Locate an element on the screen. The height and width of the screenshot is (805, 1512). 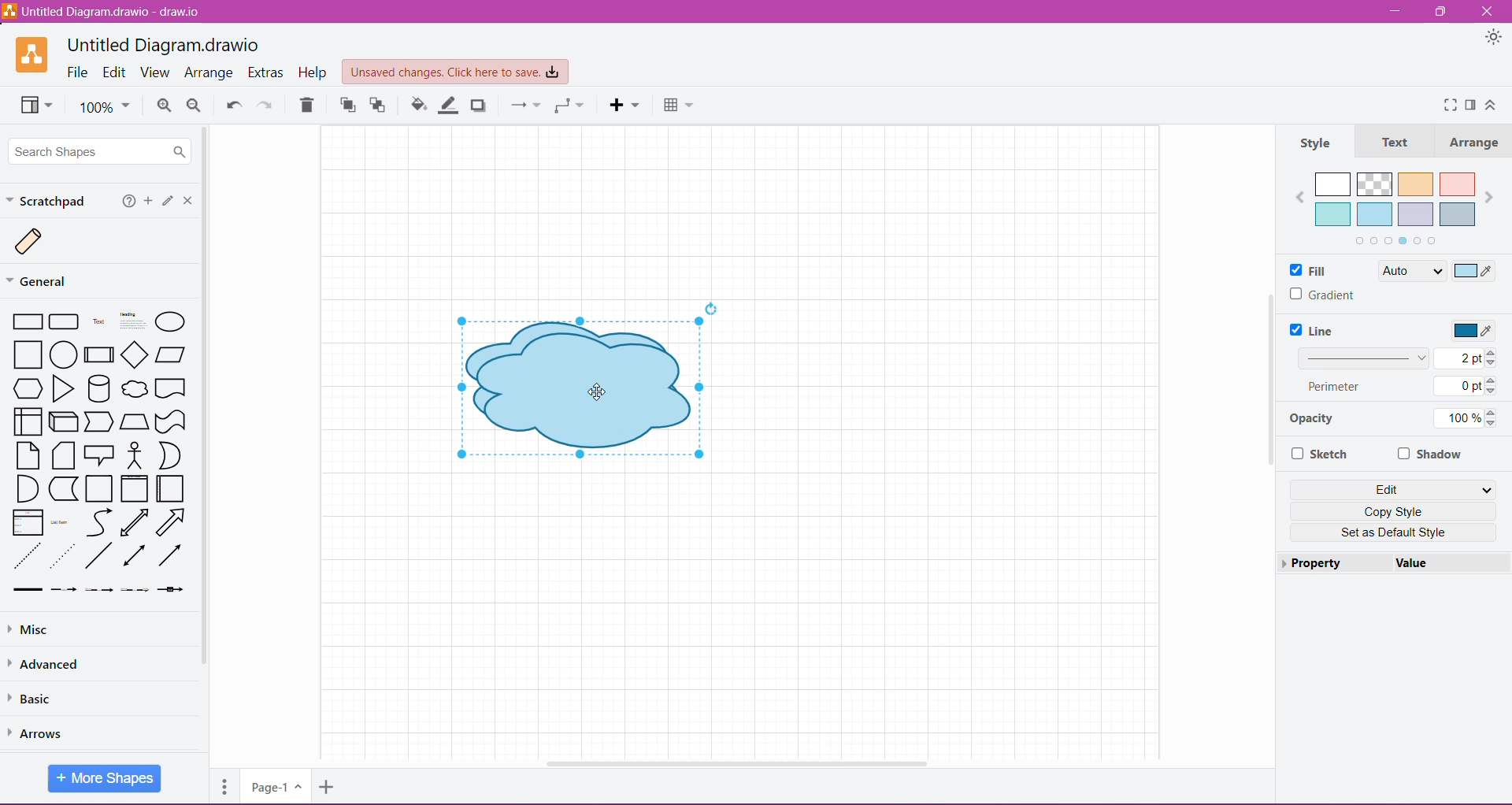
Text is located at coordinates (1399, 143).